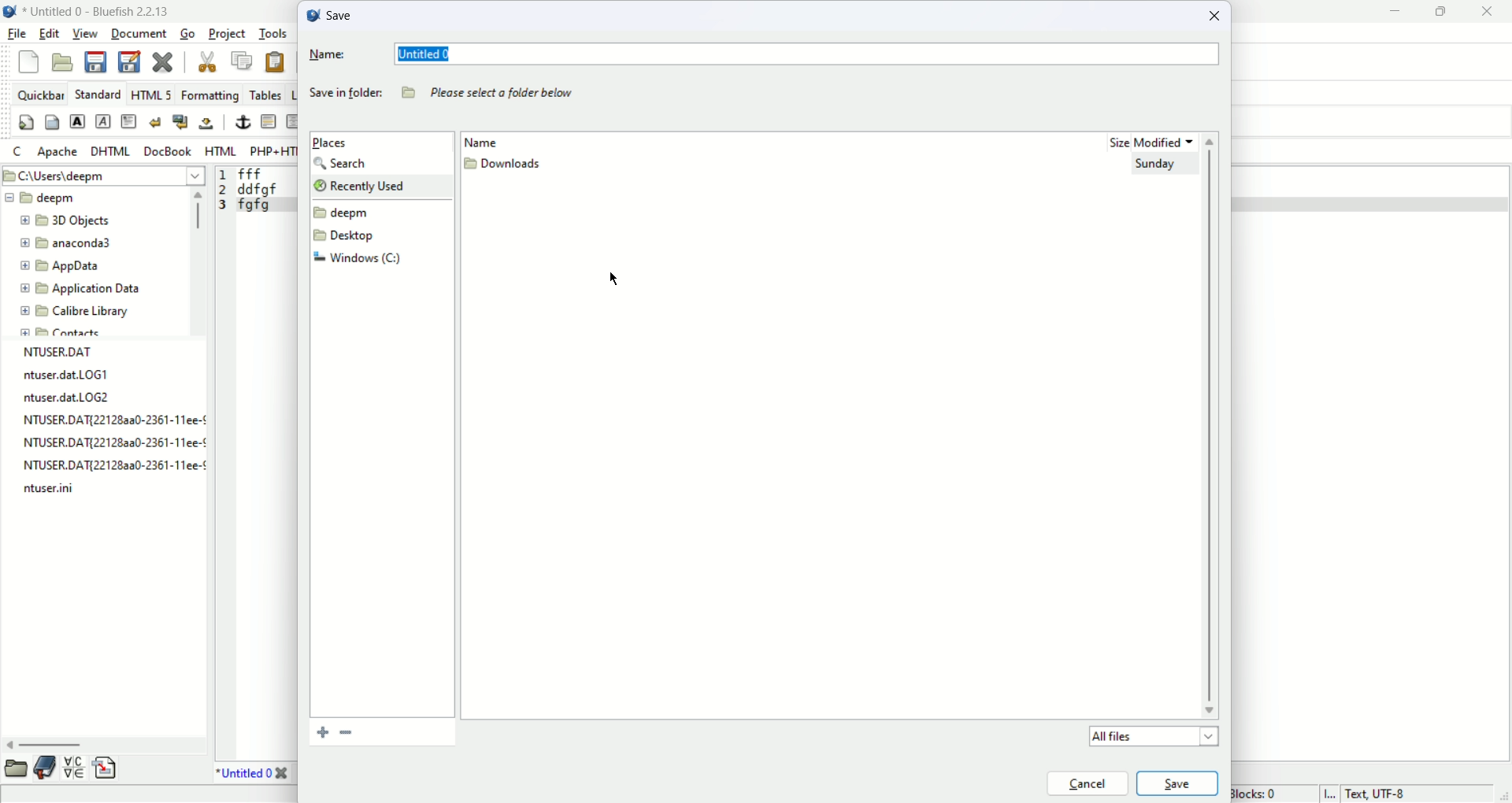 The height and width of the screenshot is (803, 1512). Describe the element at coordinates (1086, 782) in the screenshot. I see `cancel` at that location.